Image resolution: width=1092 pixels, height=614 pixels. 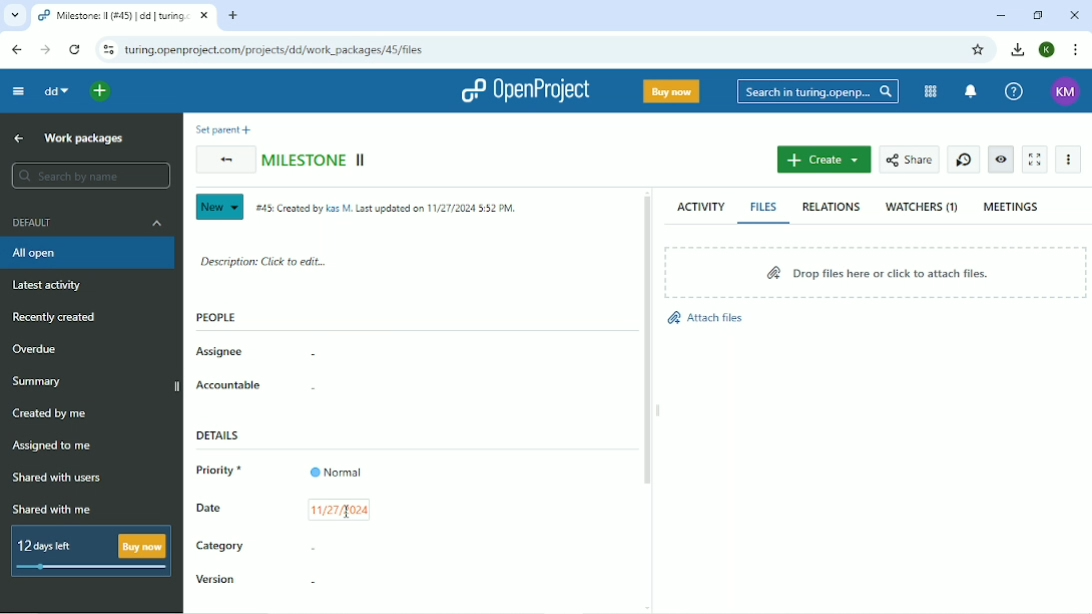 I want to click on More actions, so click(x=1069, y=159).